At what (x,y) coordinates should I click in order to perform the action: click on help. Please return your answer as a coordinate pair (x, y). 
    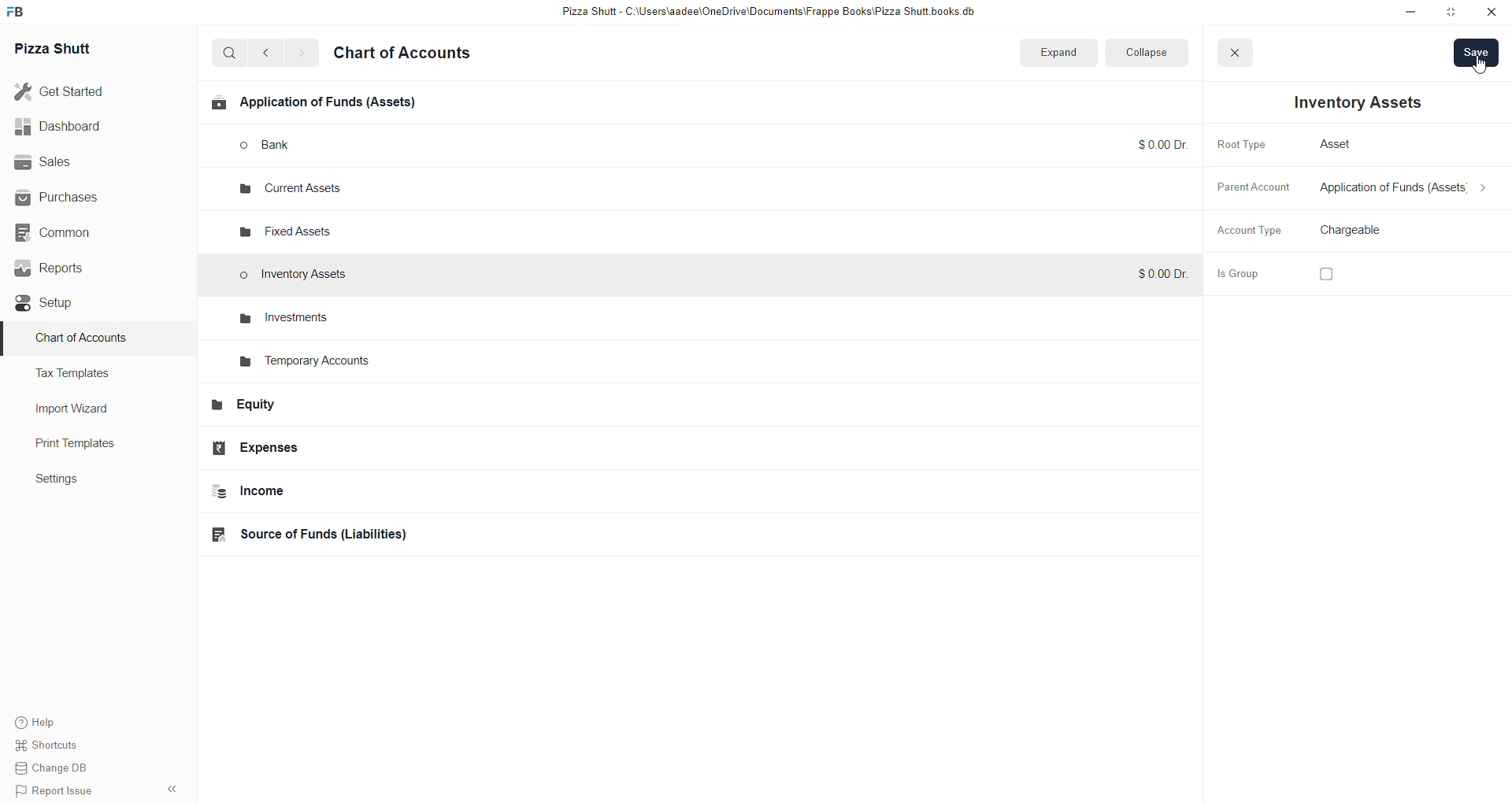
    Looking at the image, I should click on (51, 722).